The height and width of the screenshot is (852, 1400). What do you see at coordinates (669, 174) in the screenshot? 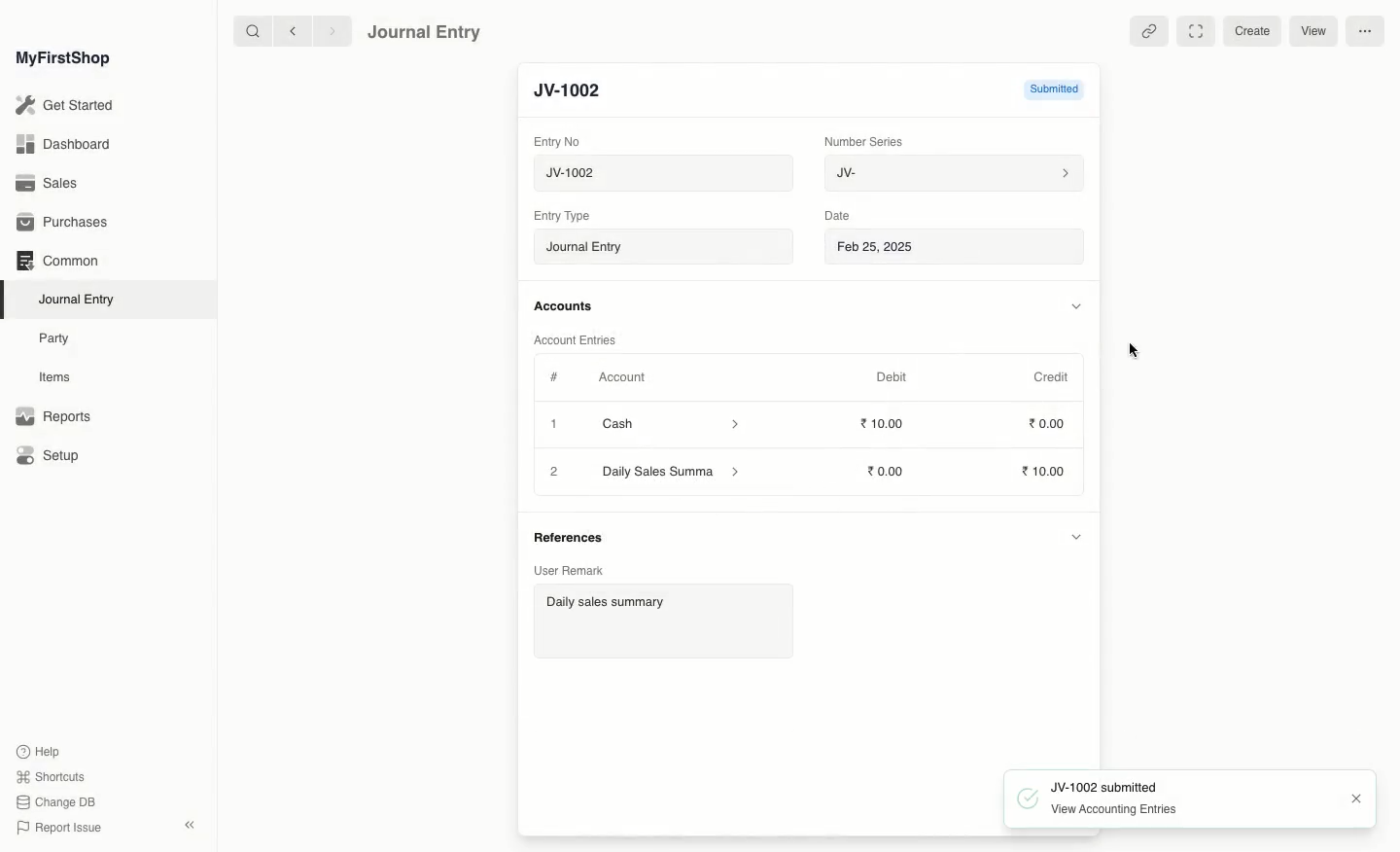
I see `New Journal Entry 03` at bounding box center [669, 174].